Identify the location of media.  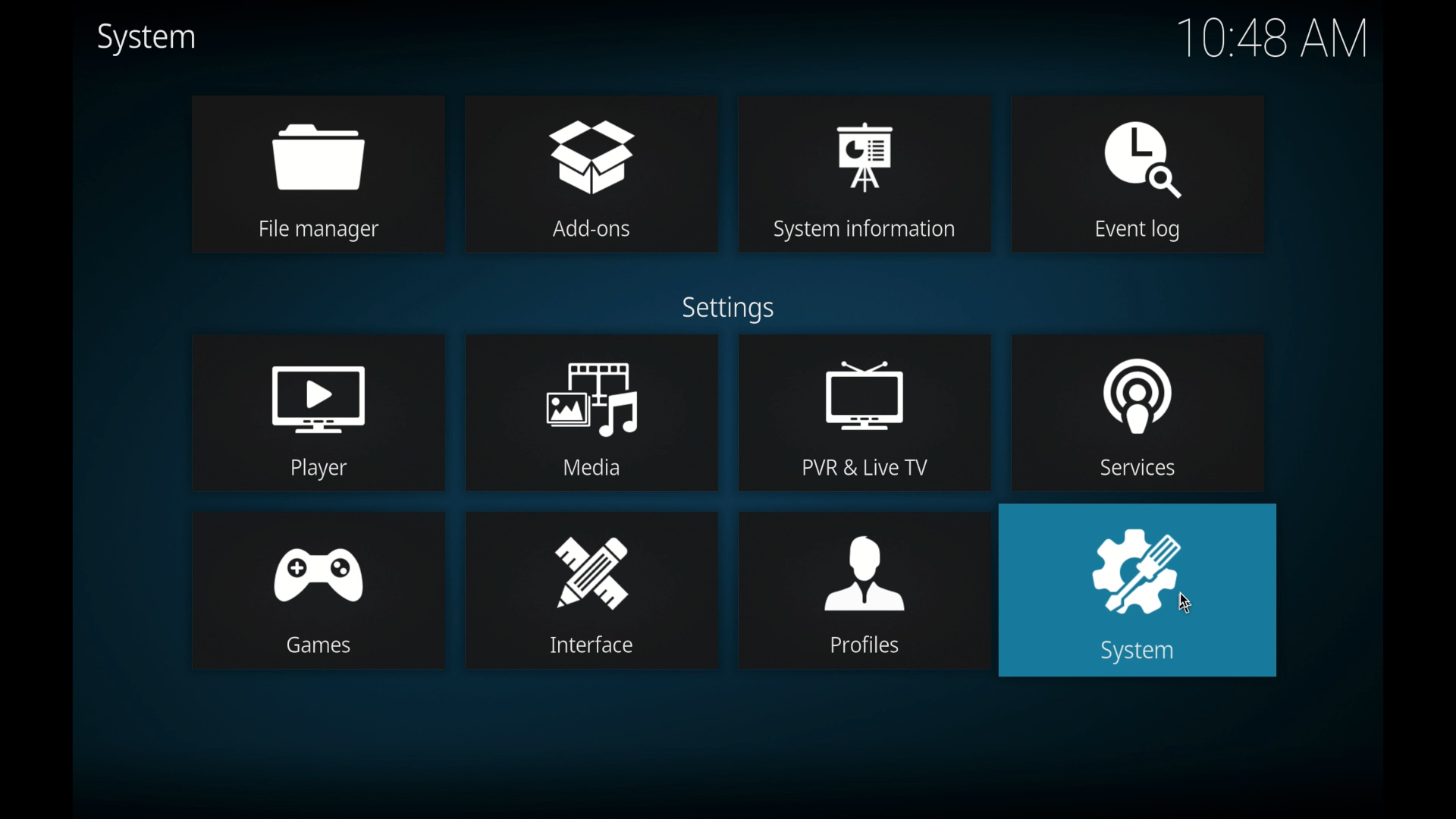
(591, 413).